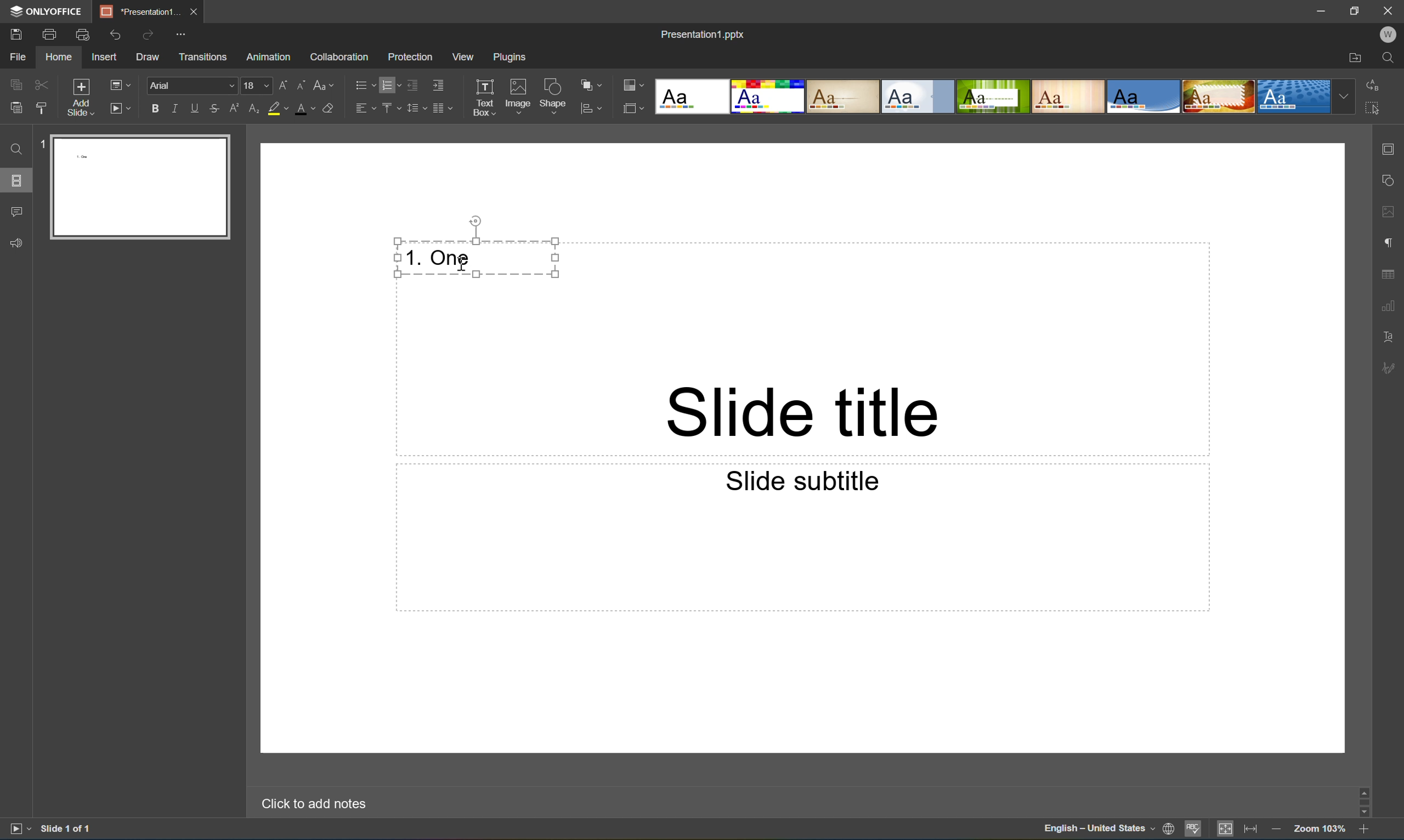  I want to click on Line spacing, so click(416, 112).